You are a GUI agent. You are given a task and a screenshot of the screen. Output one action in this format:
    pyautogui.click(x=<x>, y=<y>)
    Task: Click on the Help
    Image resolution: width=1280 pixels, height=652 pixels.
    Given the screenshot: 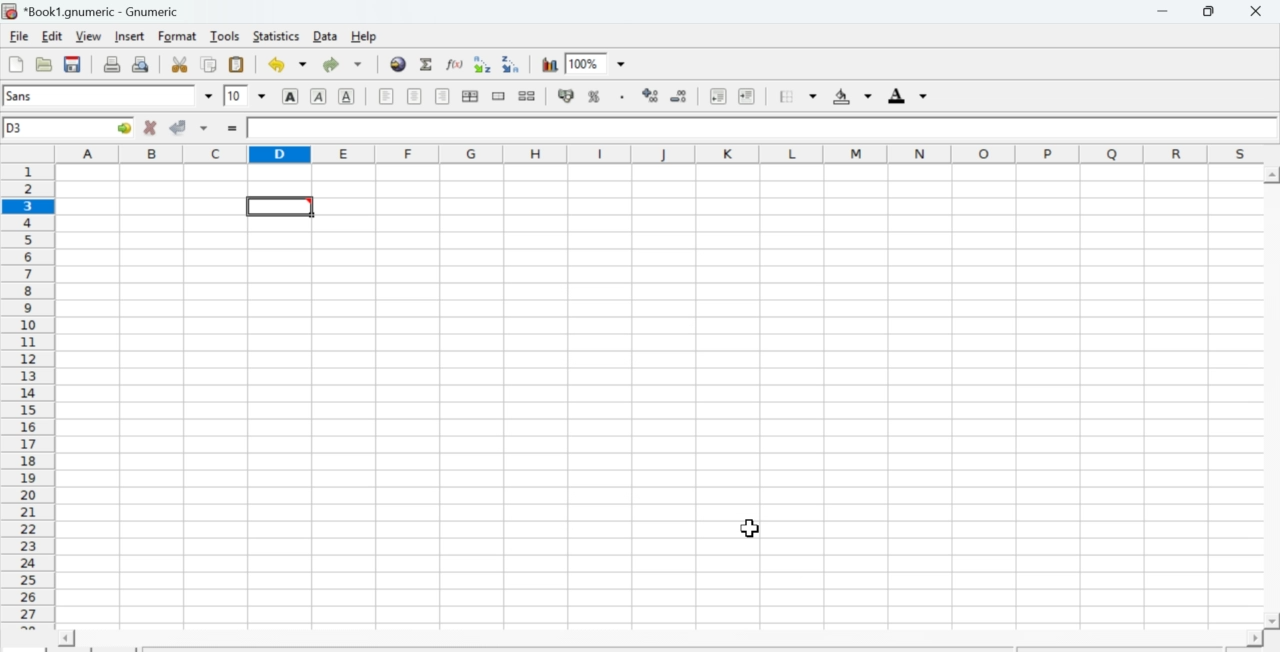 What is the action you would take?
    pyautogui.click(x=363, y=36)
    